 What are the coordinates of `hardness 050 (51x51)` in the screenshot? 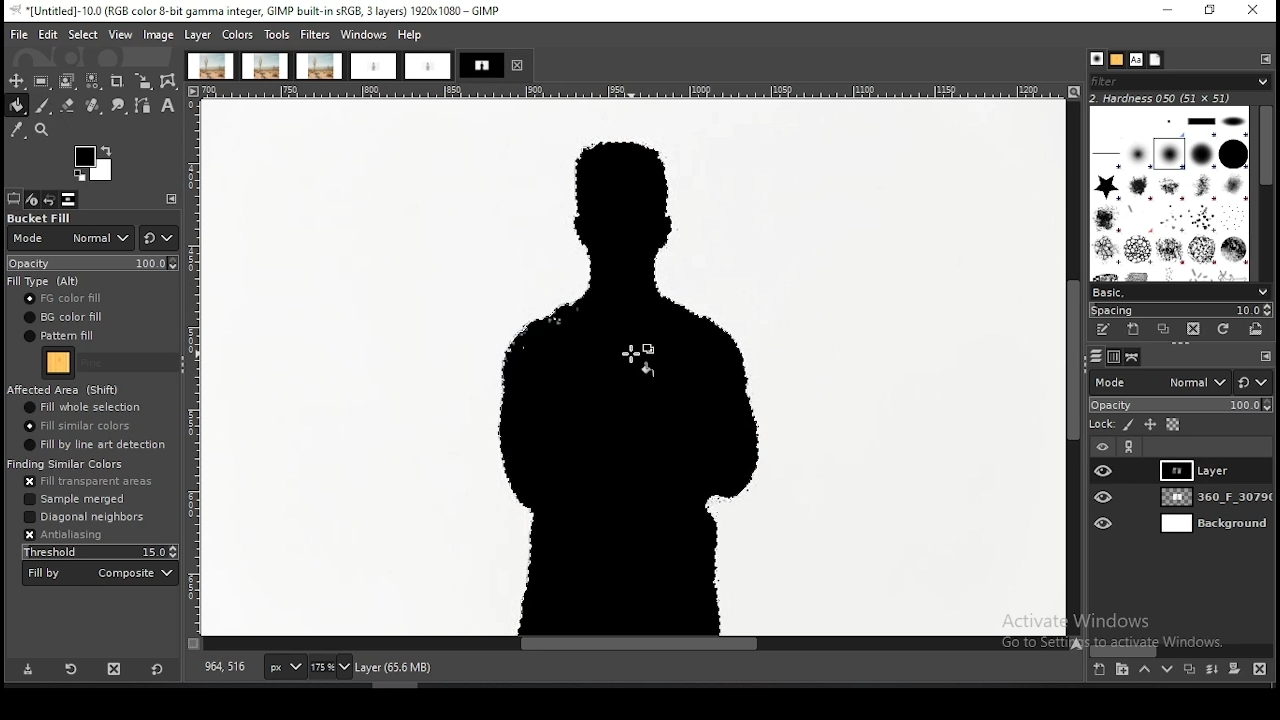 It's located at (1161, 98).